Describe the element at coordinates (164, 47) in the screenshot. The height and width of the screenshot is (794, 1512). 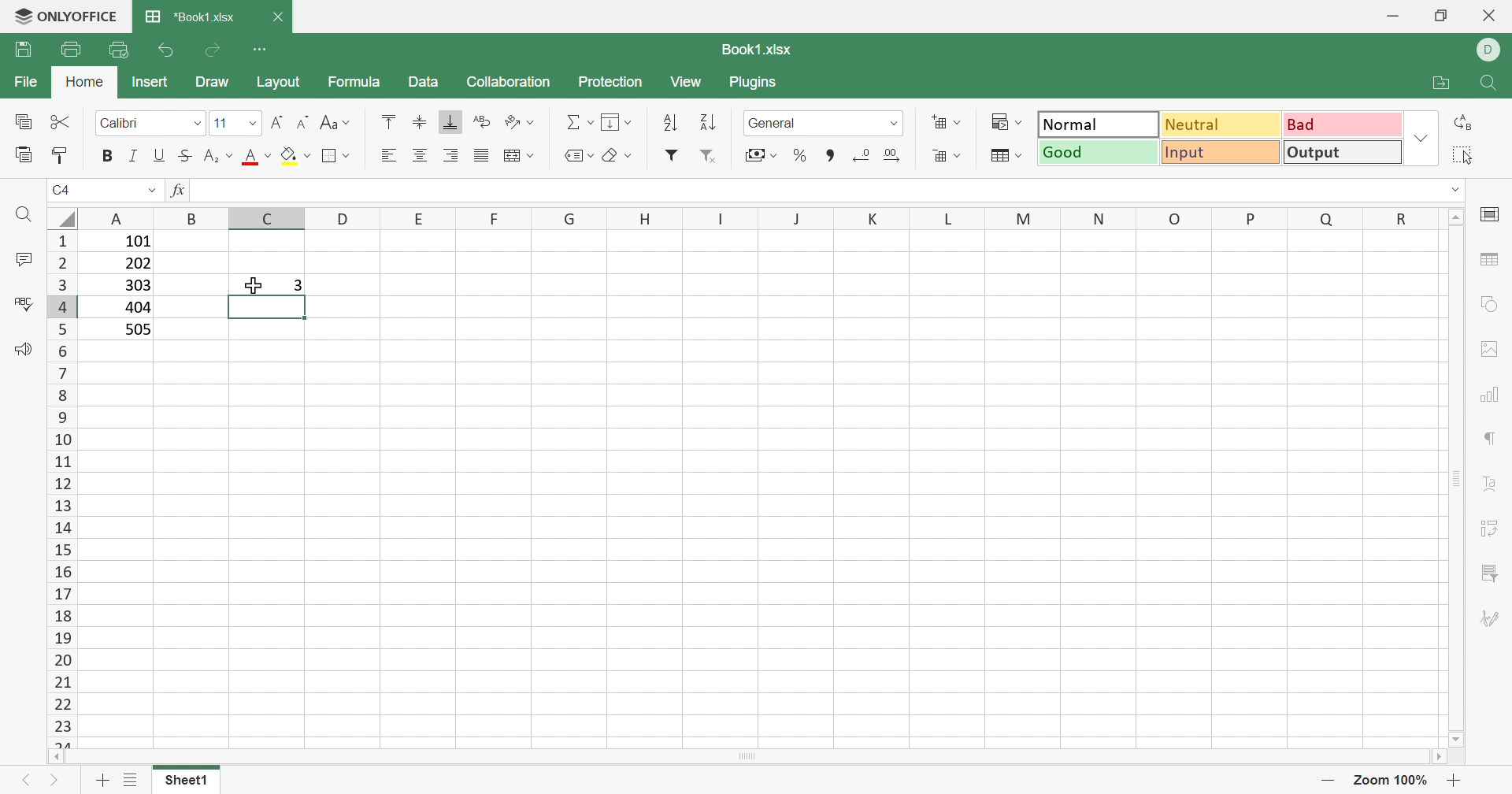
I see `Undo` at that location.